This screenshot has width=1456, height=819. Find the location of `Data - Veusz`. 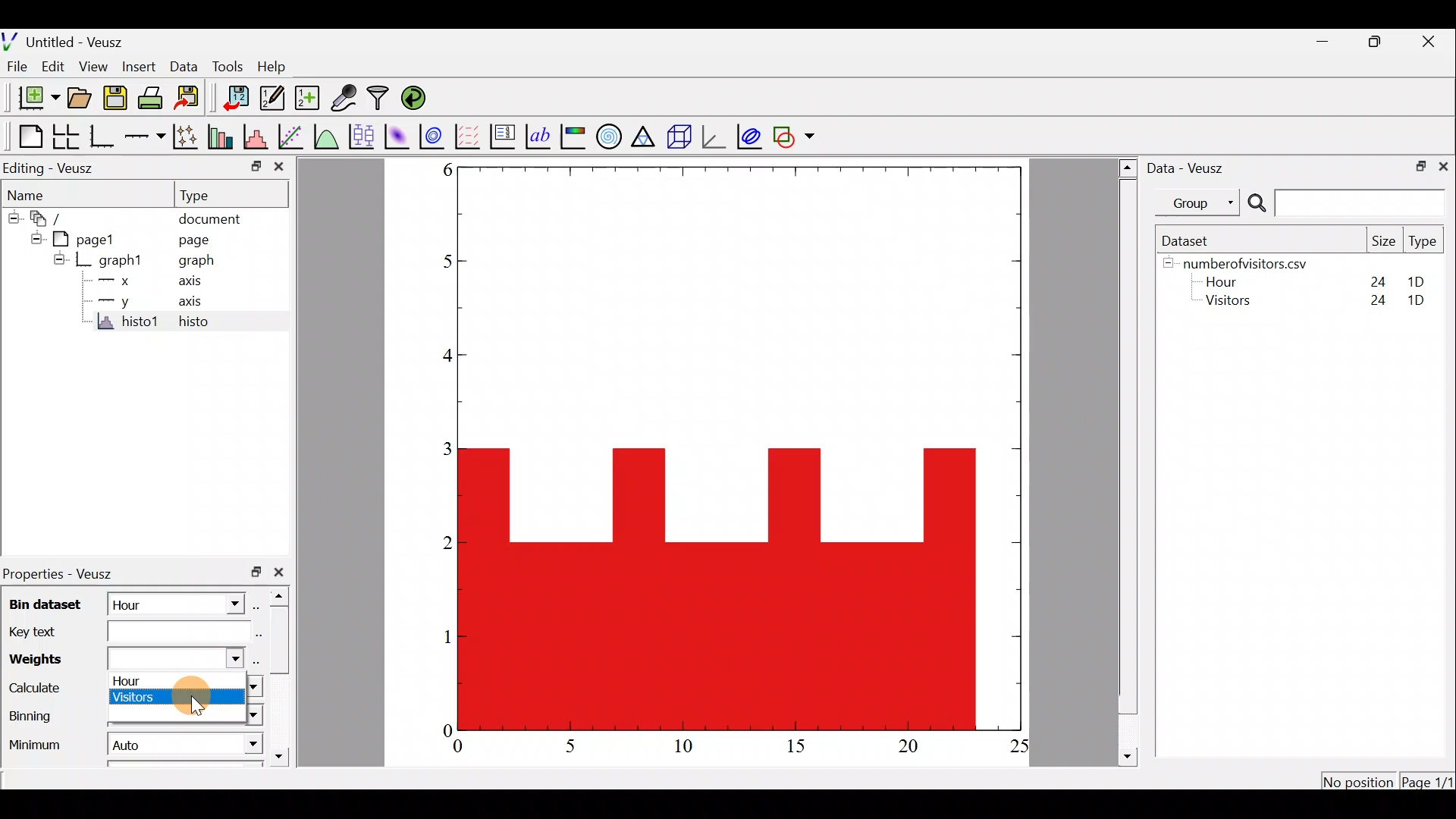

Data - Veusz is located at coordinates (1195, 171).